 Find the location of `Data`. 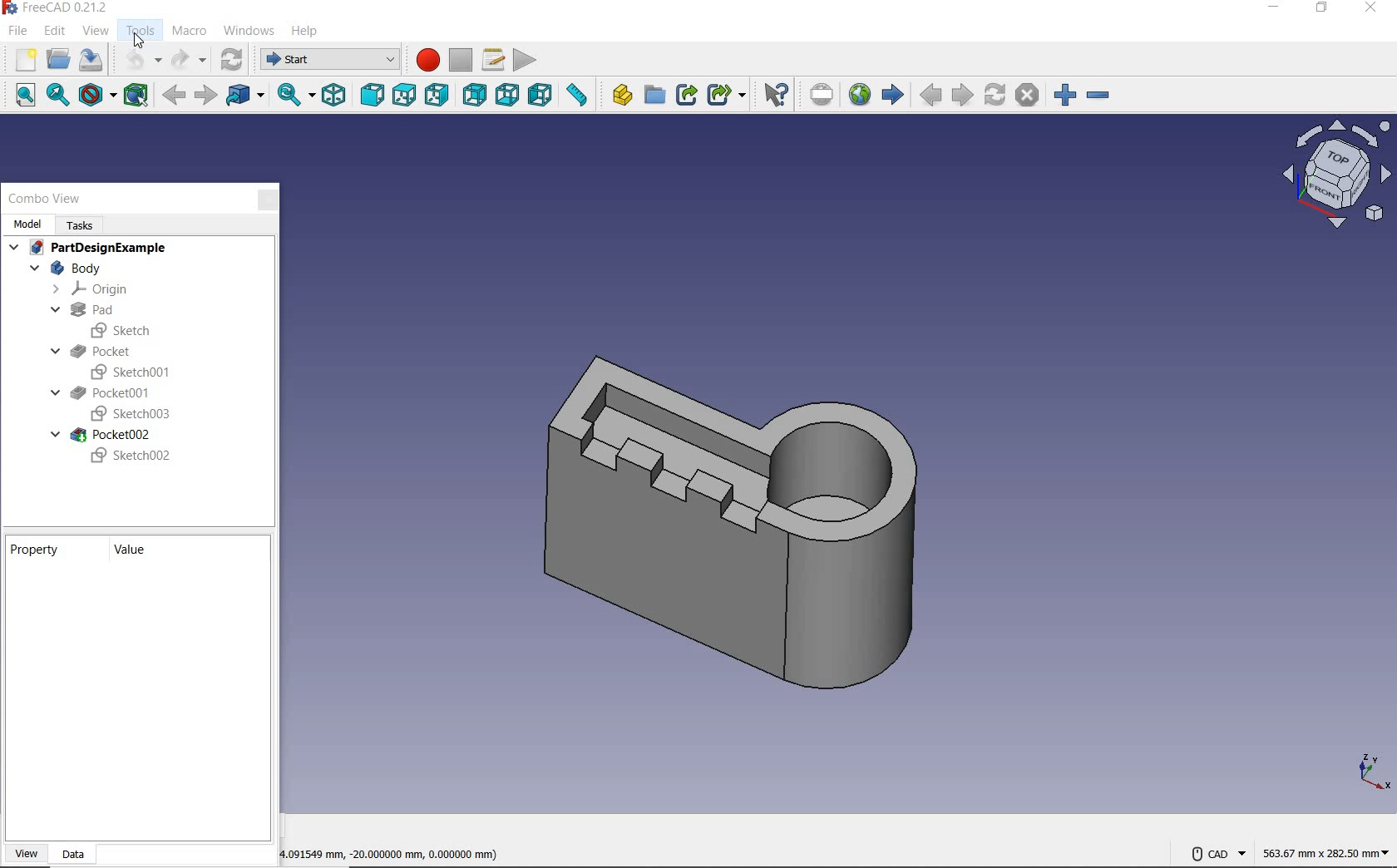

Data is located at coordinates (78, 853).